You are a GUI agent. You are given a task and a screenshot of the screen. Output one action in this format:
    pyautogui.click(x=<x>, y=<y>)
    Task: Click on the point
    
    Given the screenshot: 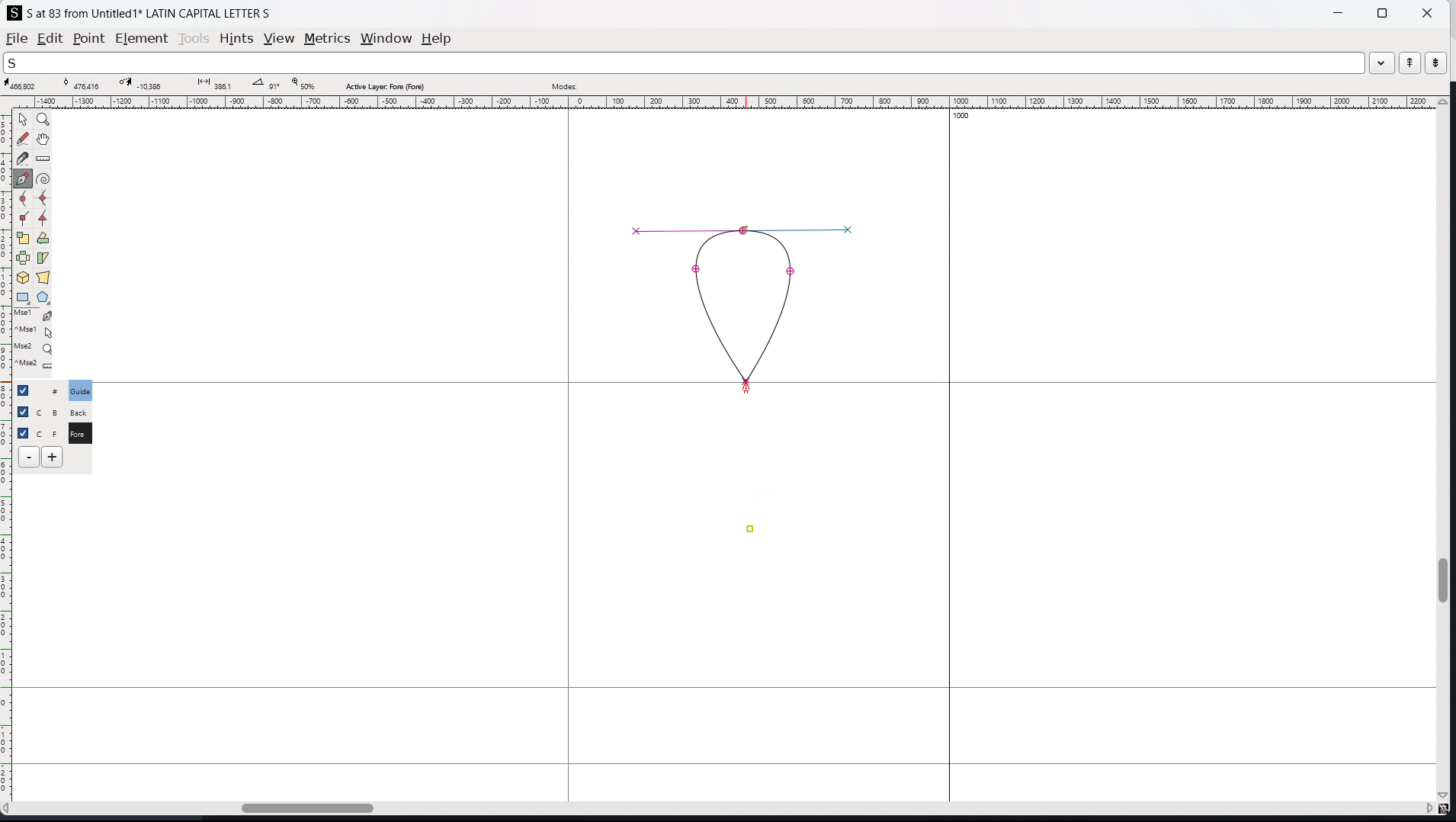 What is the action you would take?
    pyautogui.click(x=750, y=531)
    